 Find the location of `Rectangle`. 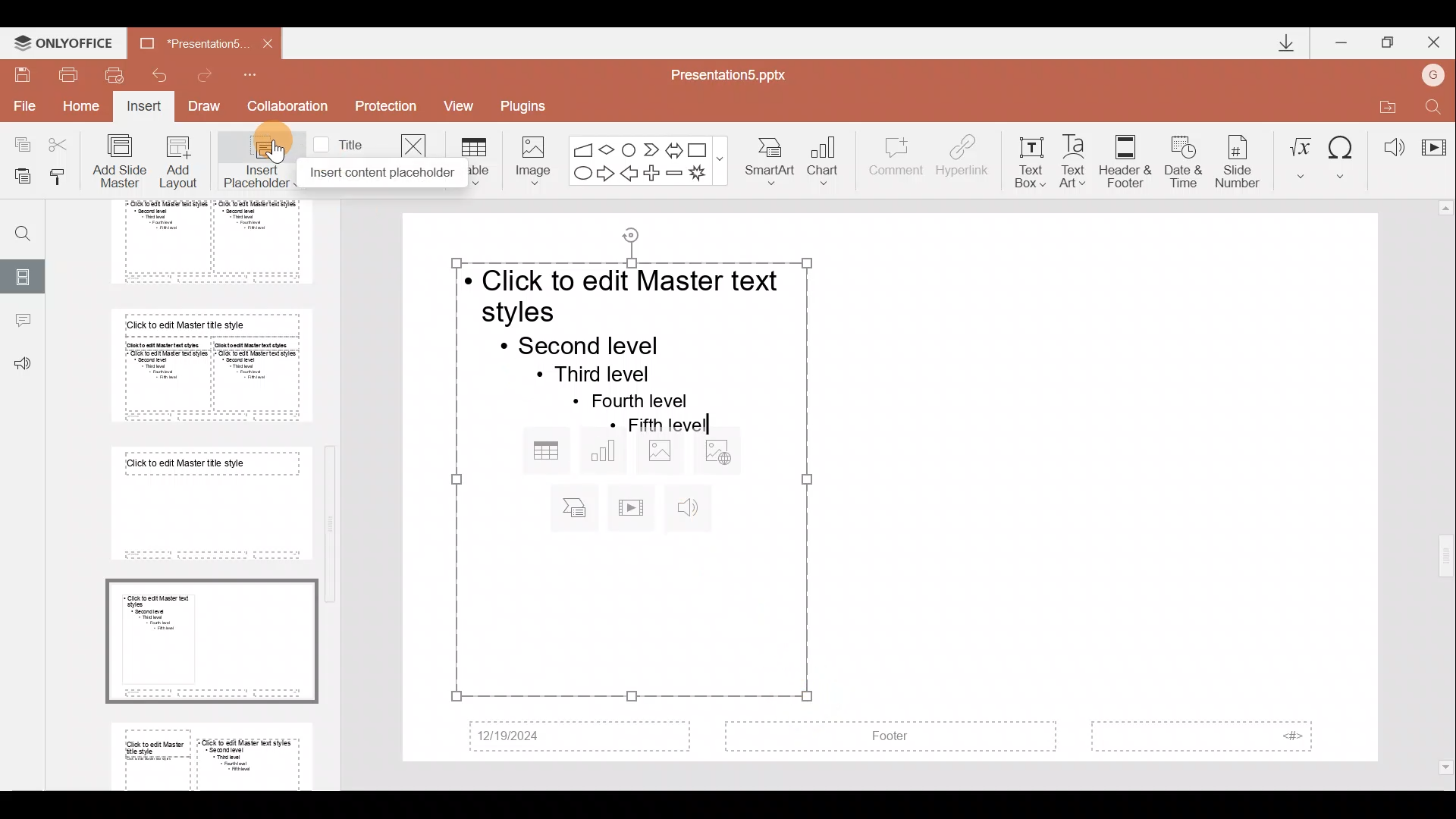

Rectangle is located at coordinates (699, 148).